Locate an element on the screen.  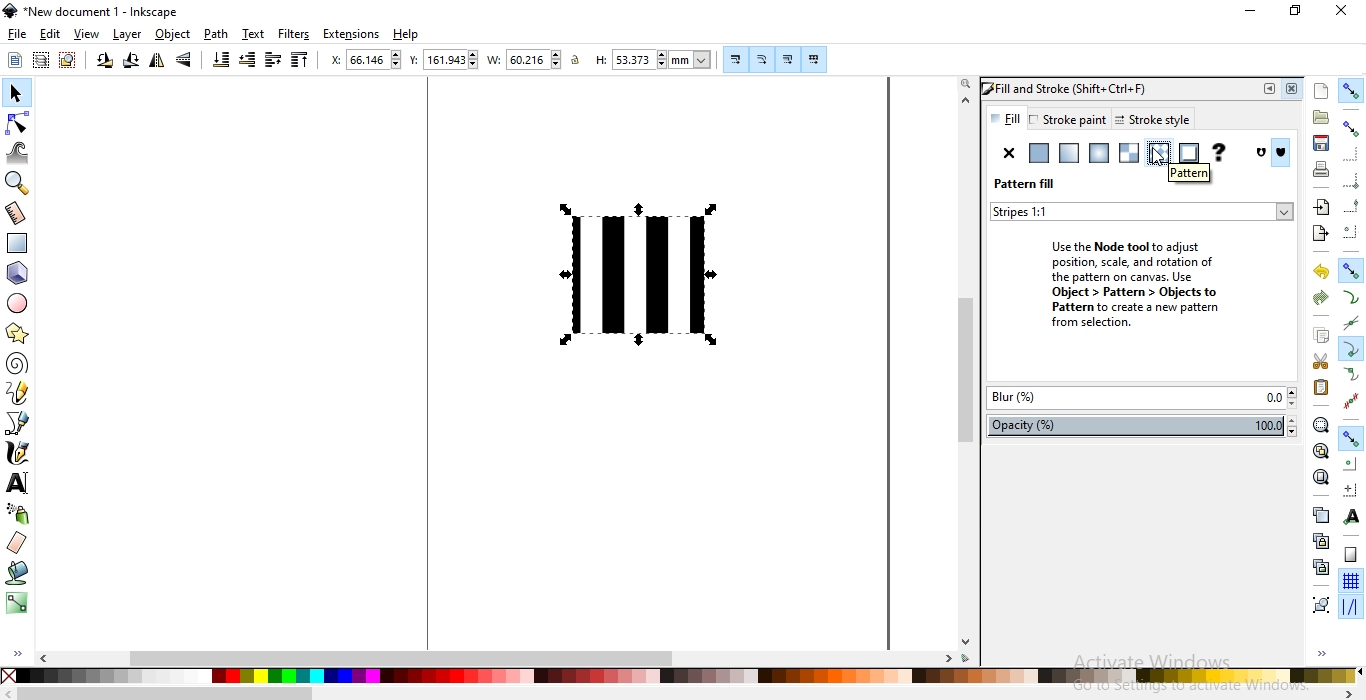
lower selection one step is located at coordinates (247, 61).